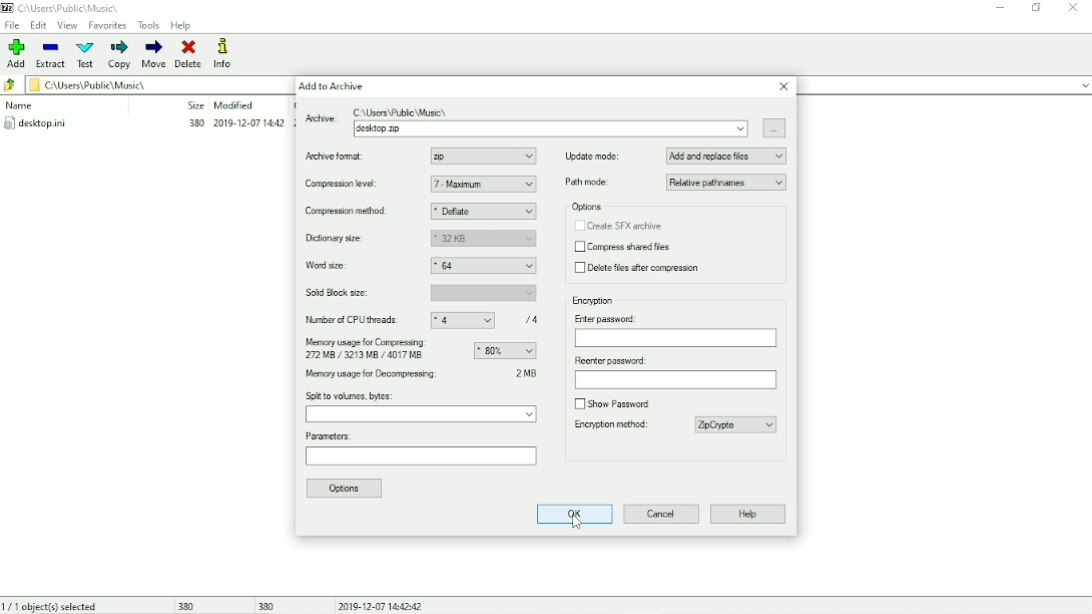  What do you see at coordinates (358, 212) in the screenshot?
I see `Compression method` at bounding box center [358, 212].